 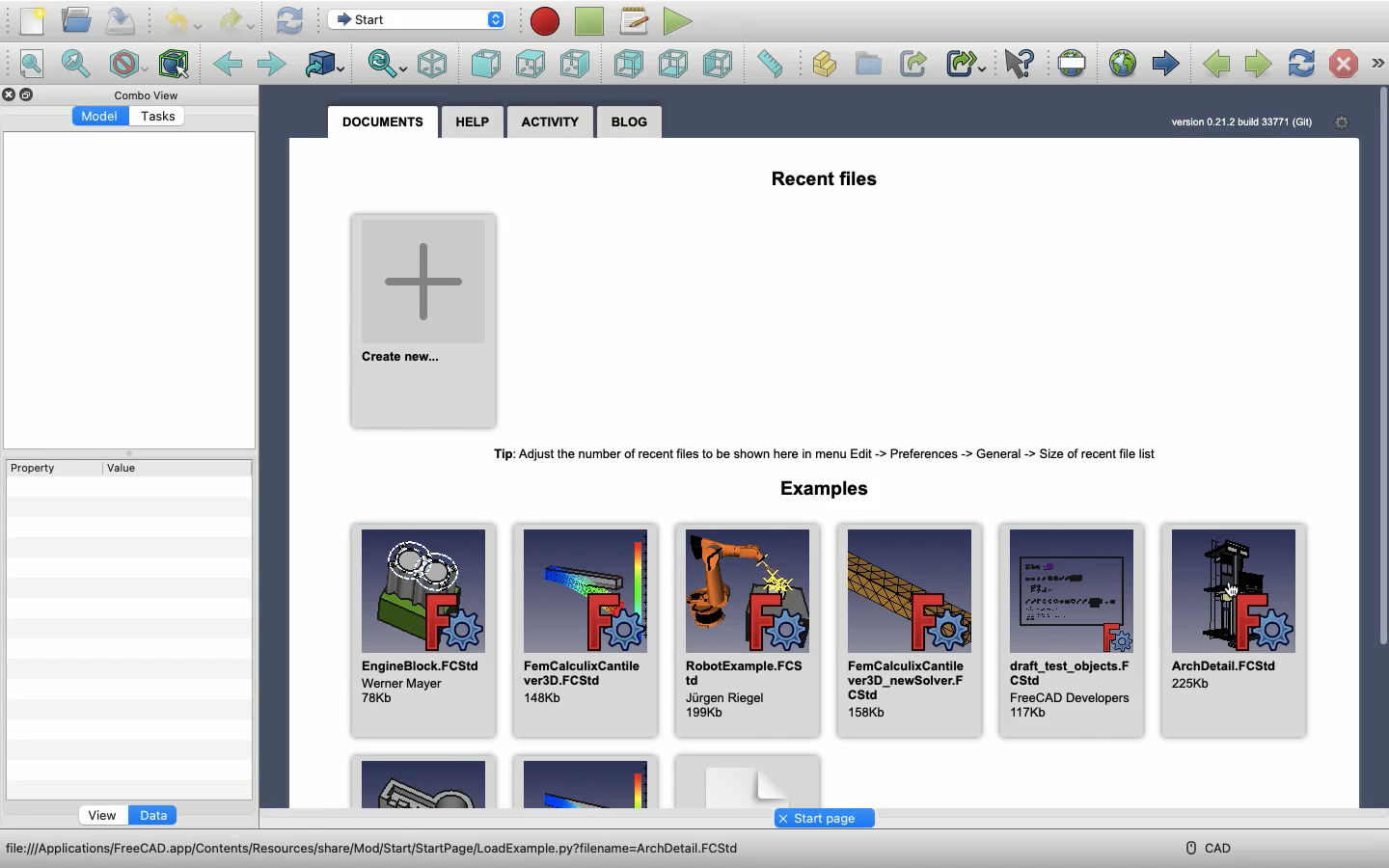 What do you see at coordinates (31, 469) in the screenshot?
I see `Property` at bounding box center [31, 469].